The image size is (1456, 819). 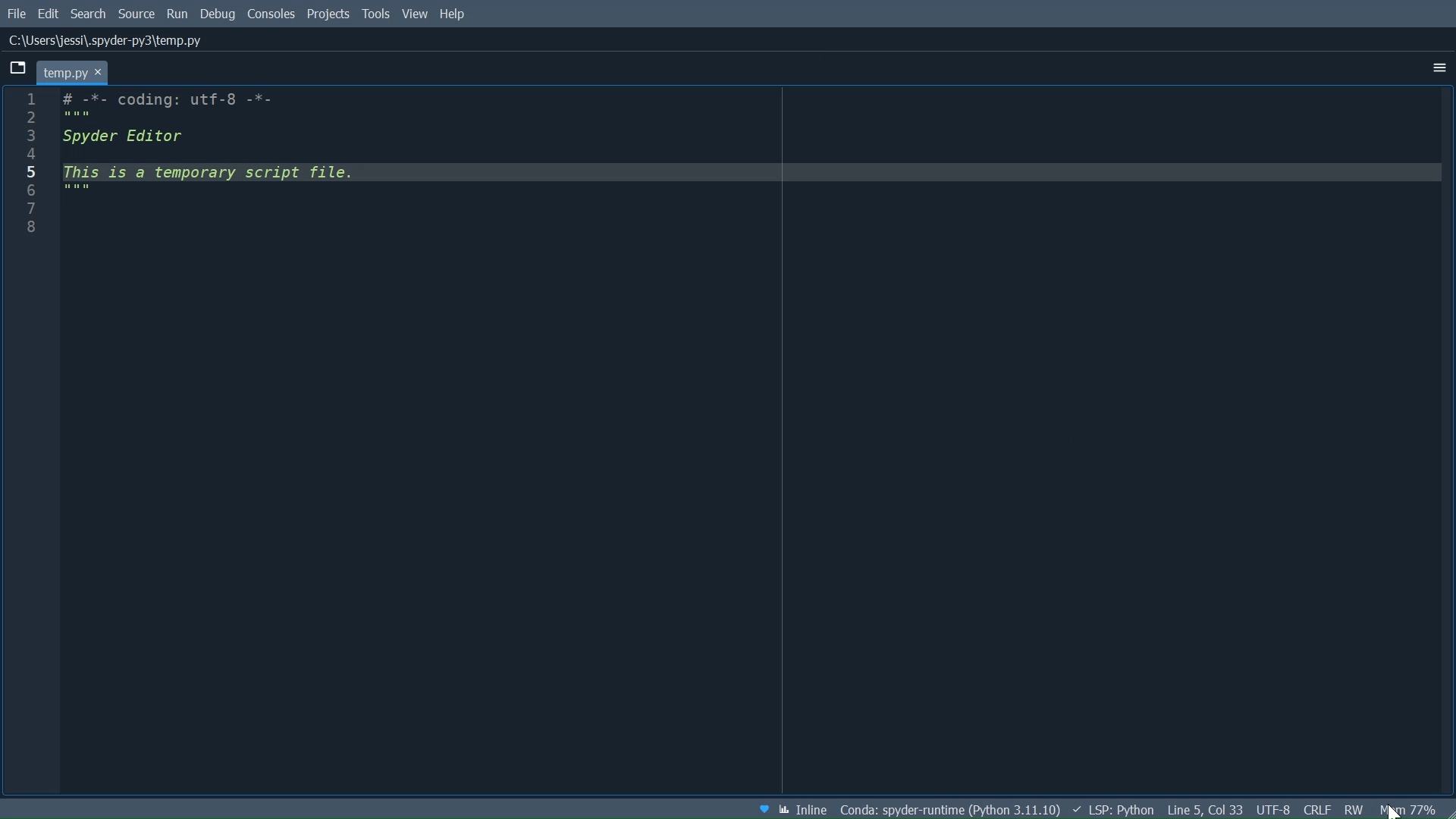 What do you see at coordinates (1276, 809) in the screenshot?
I see `File Encoding` at bounding box center [1276, 809].